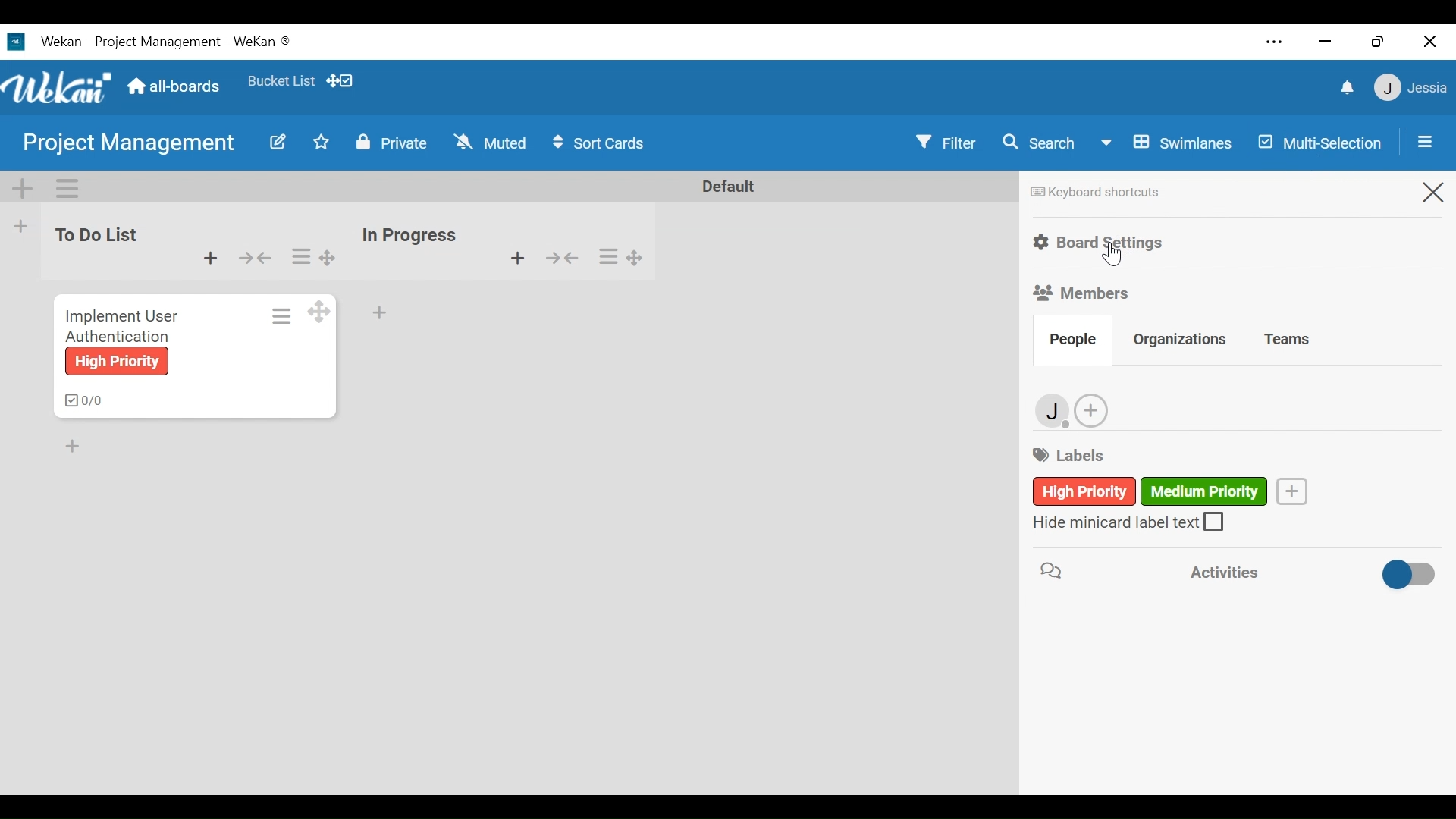  I want to click on favorites, so click(279, 78).